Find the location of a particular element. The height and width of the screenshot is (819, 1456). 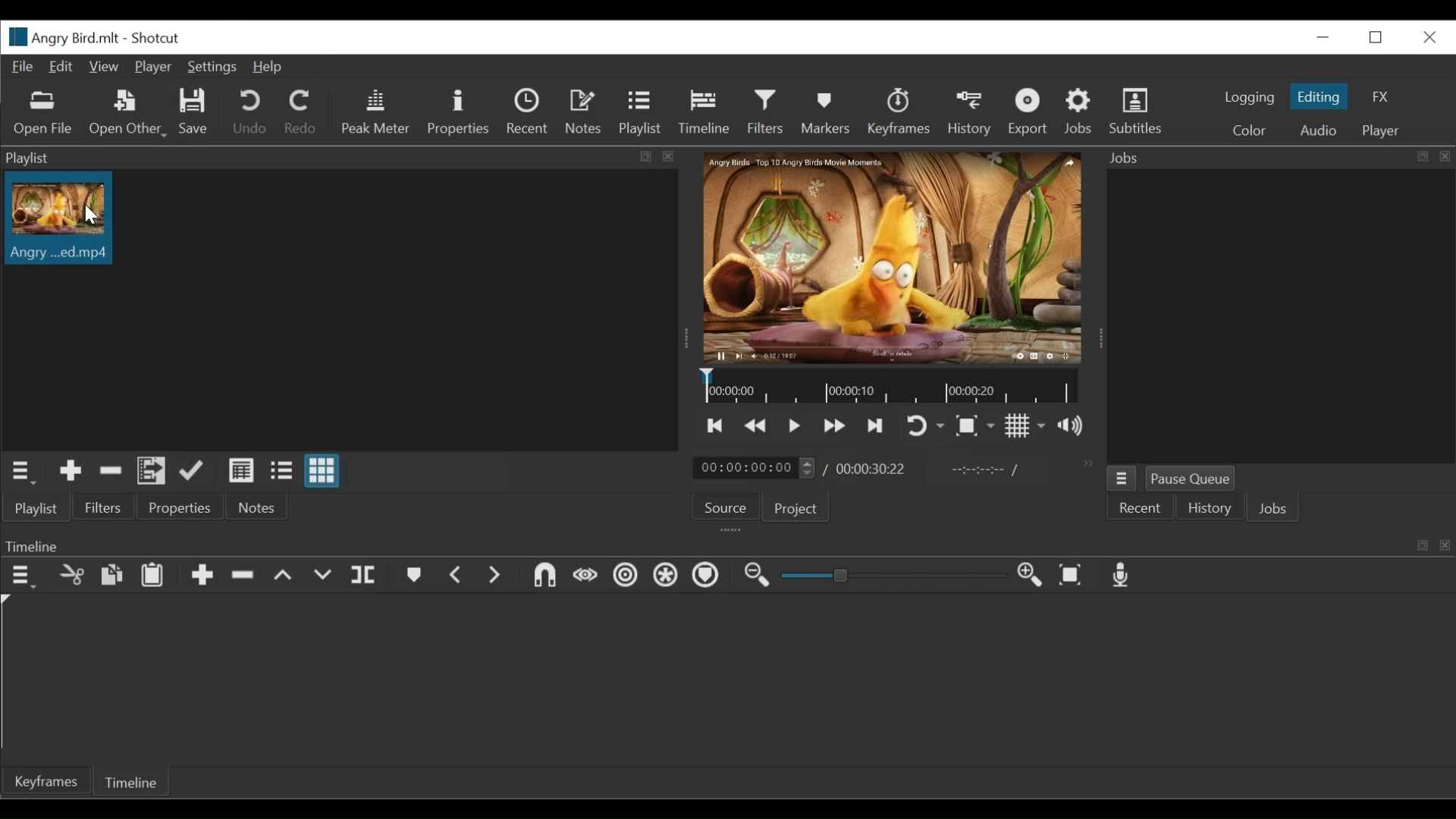

Record audio is located at coordinates (1125, 576).